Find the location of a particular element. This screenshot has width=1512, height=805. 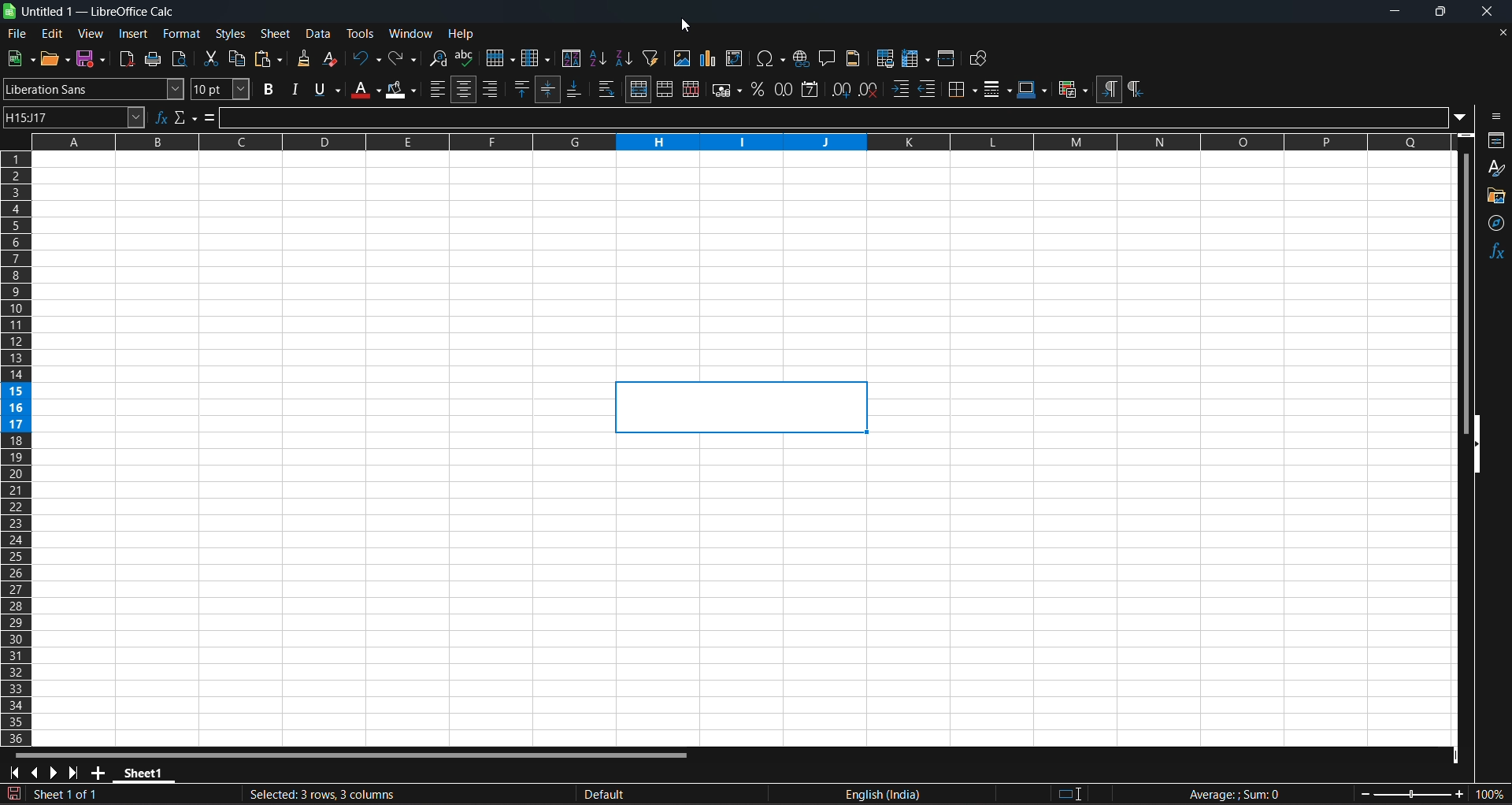

borders is located at coordinates (962, 89).